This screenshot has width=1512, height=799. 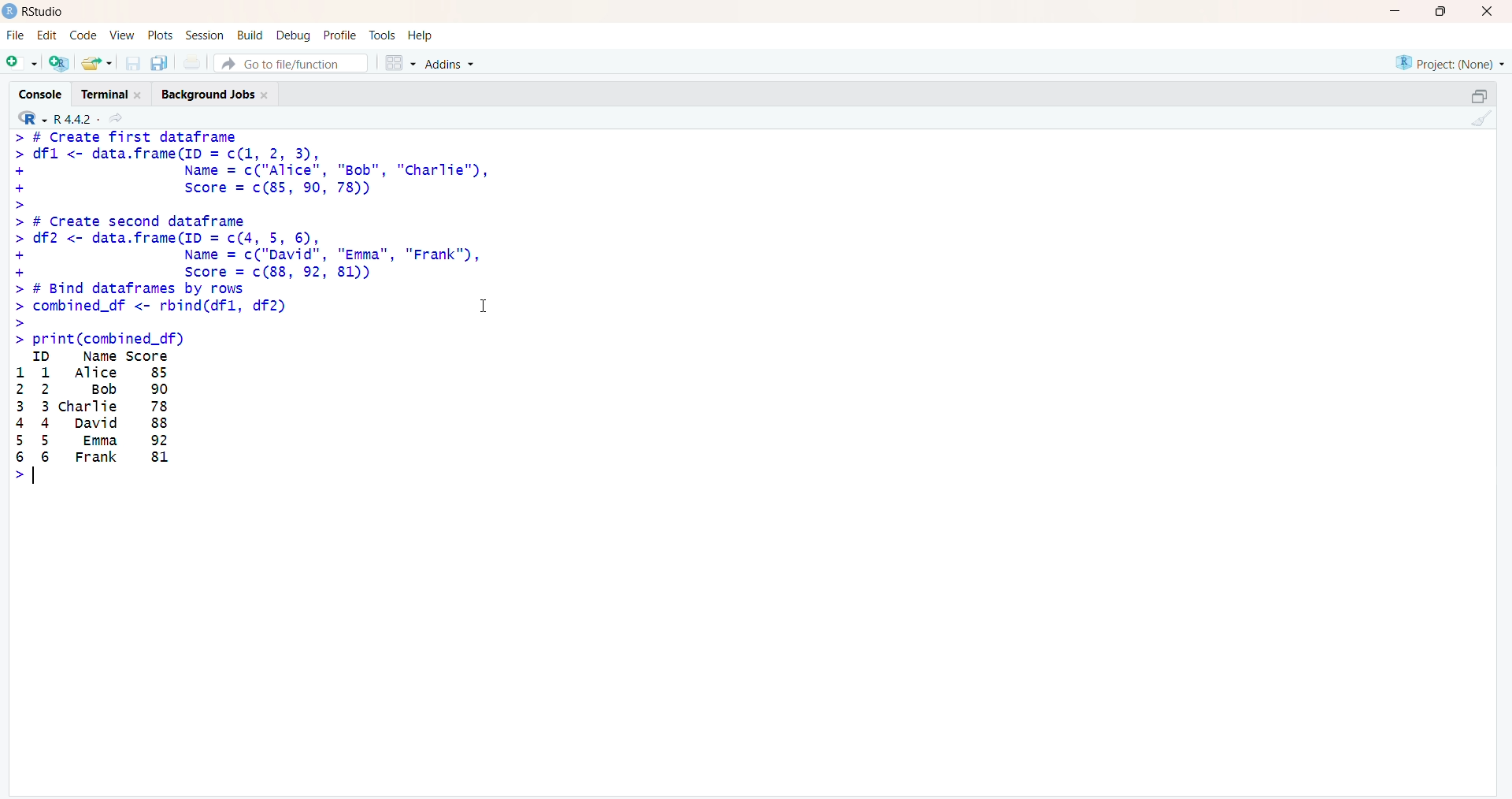 What do you see at coordinates (98, 63) in the screenshot?
I see `open exixting file` at bounding box center [98, 63].